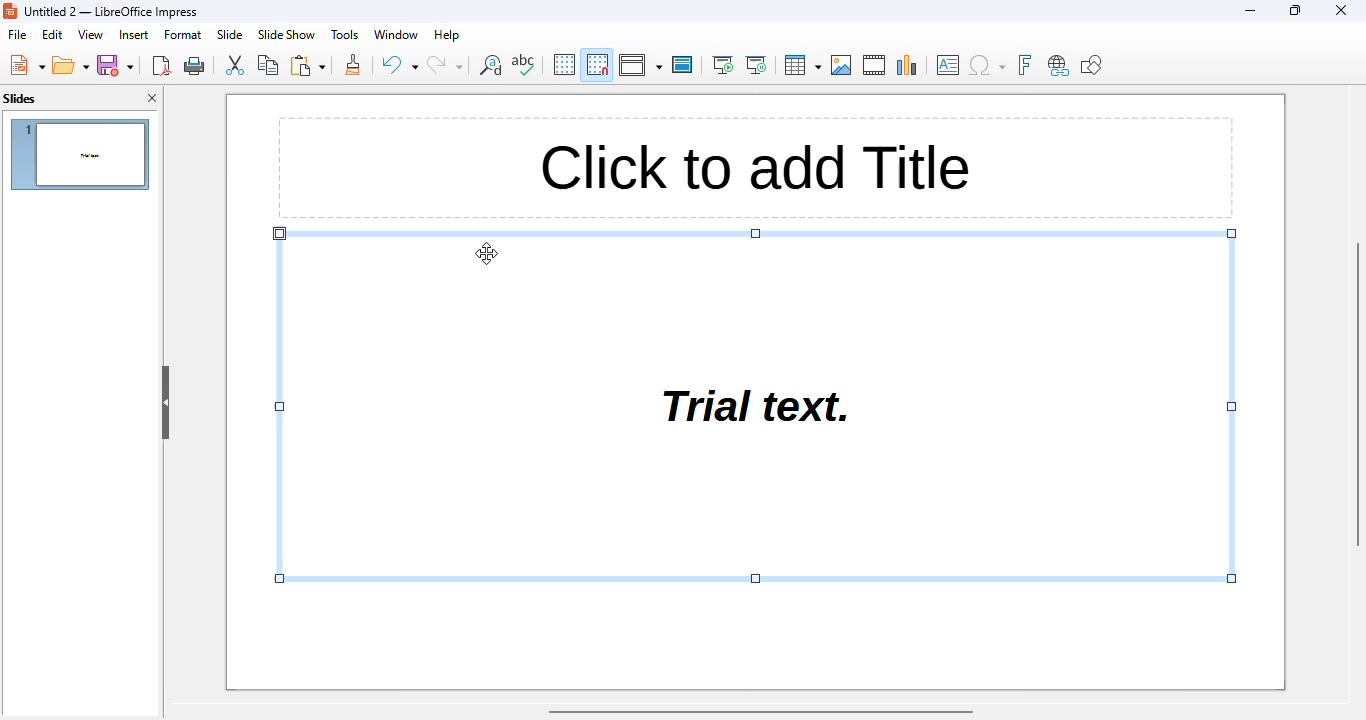  I want to click on slideshow, so click(286, 35).